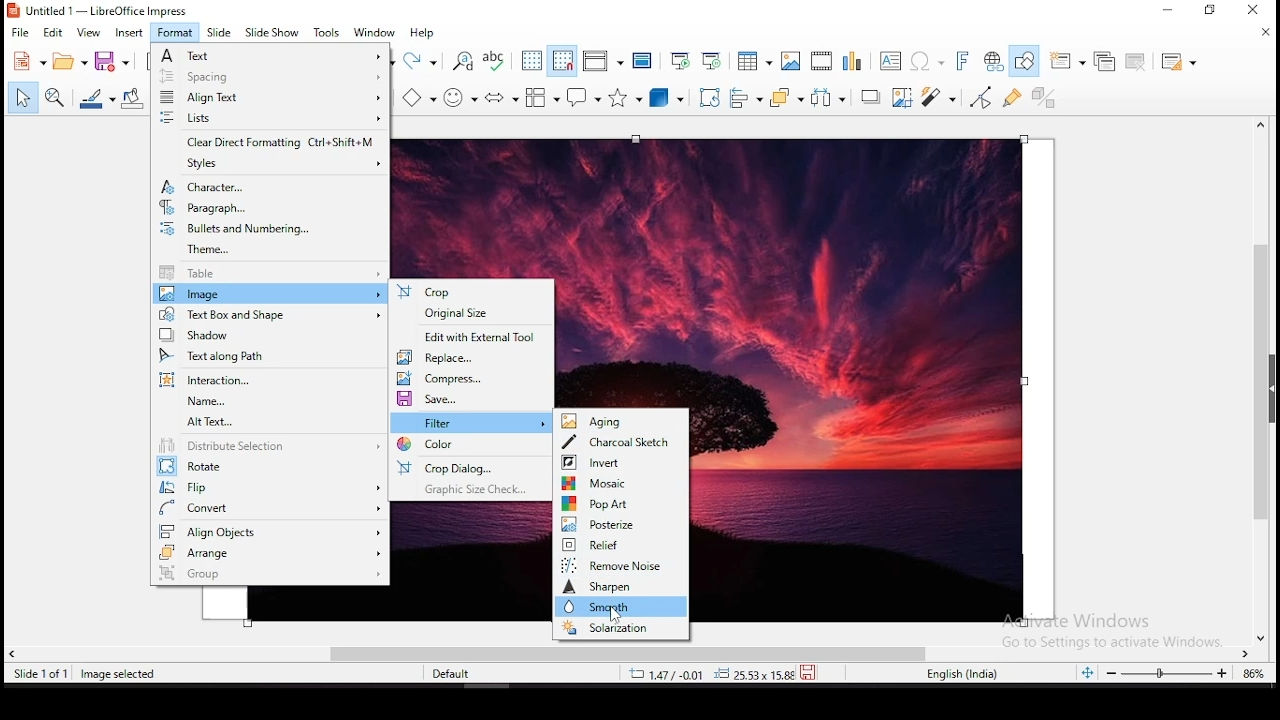 This screenshot has height=720, width=1280. What do you see at coordinates (112, 60) in the screenshot?
I see `save` at bounding box center [112, 60].